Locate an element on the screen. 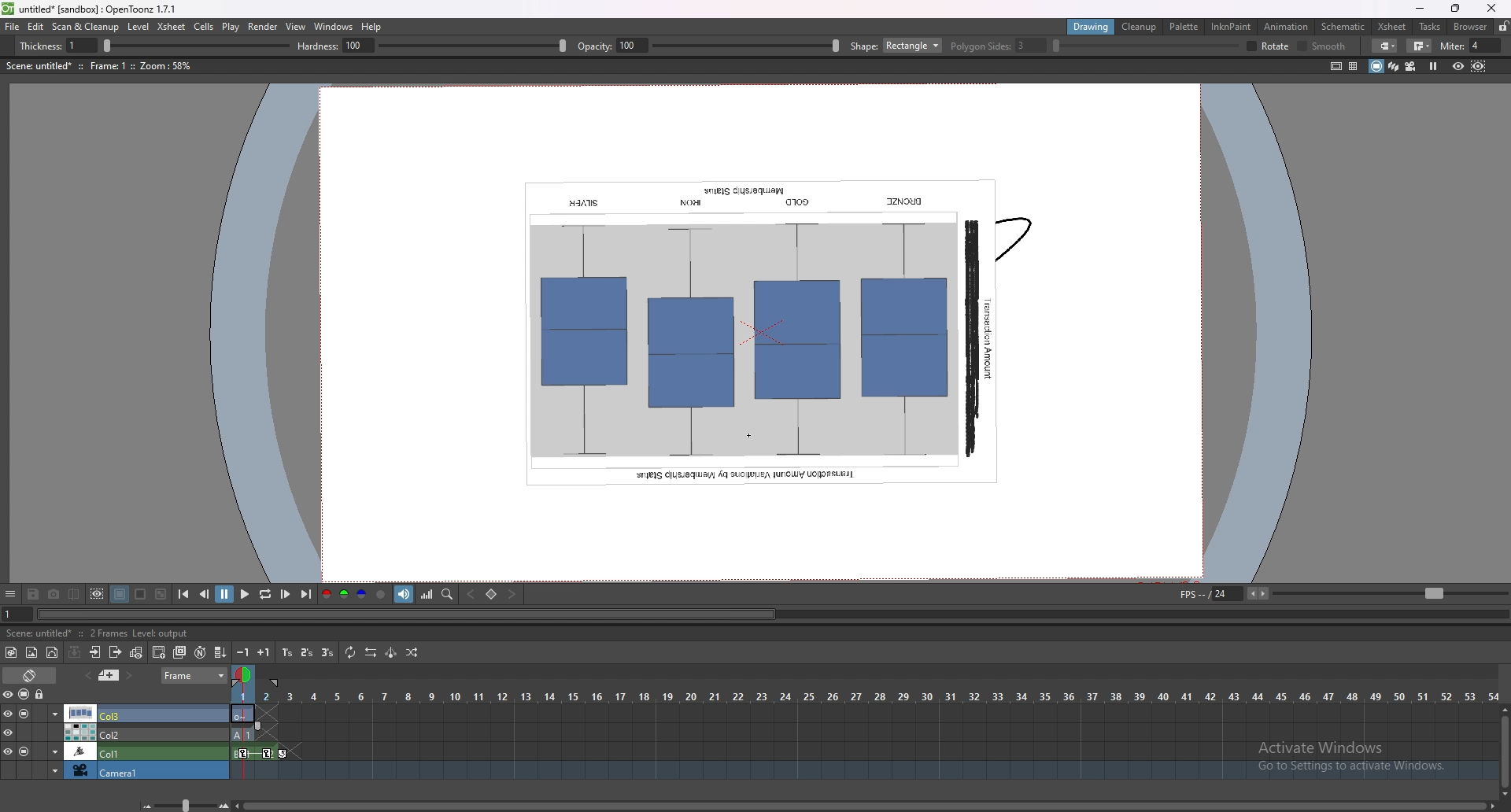 This screenshot has width=1511, height=812. reframe on 3s is located at coordinates (327, 652).